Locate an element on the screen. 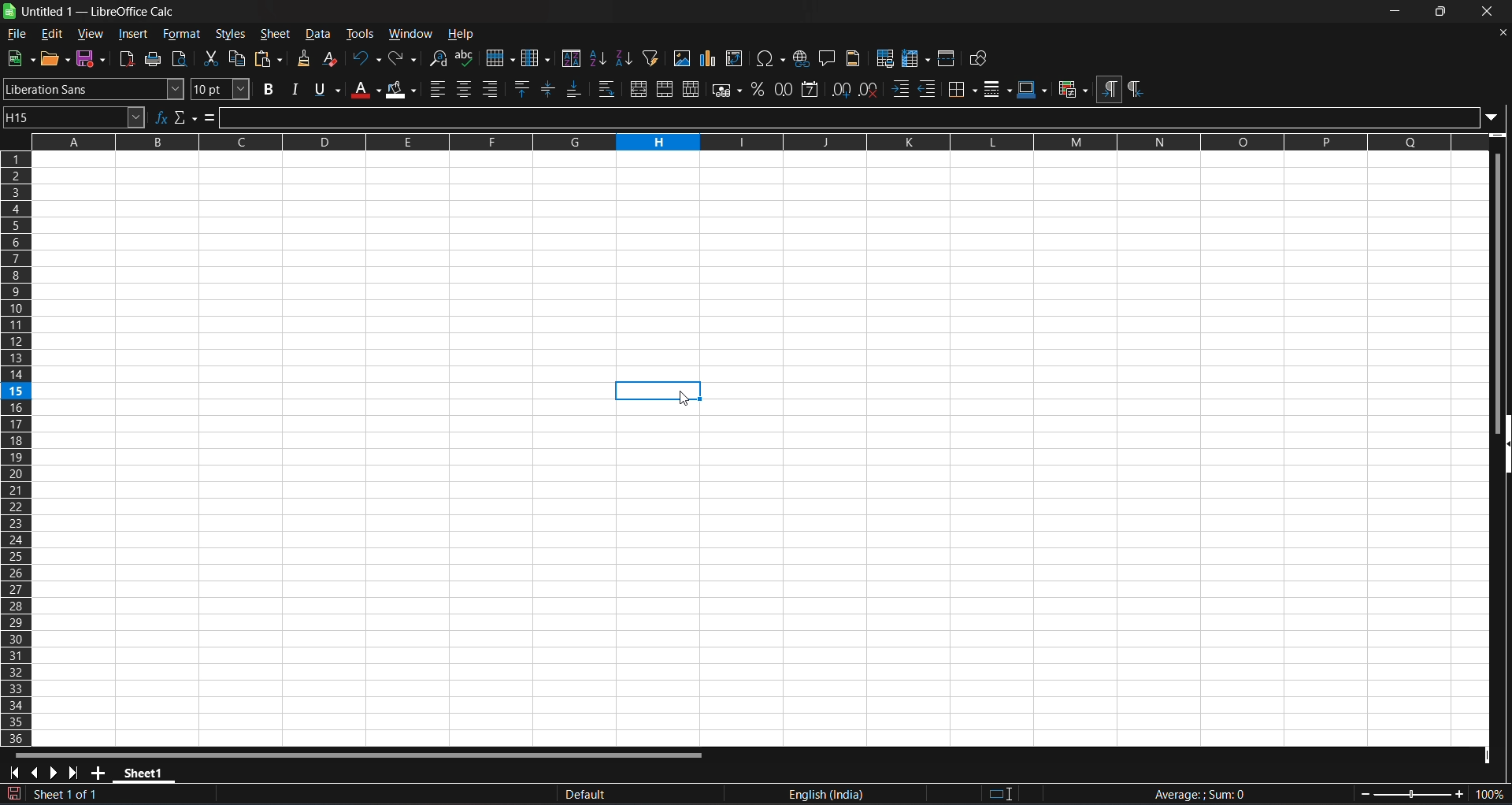  insert hyperlink is located at coordinates (800, 58).